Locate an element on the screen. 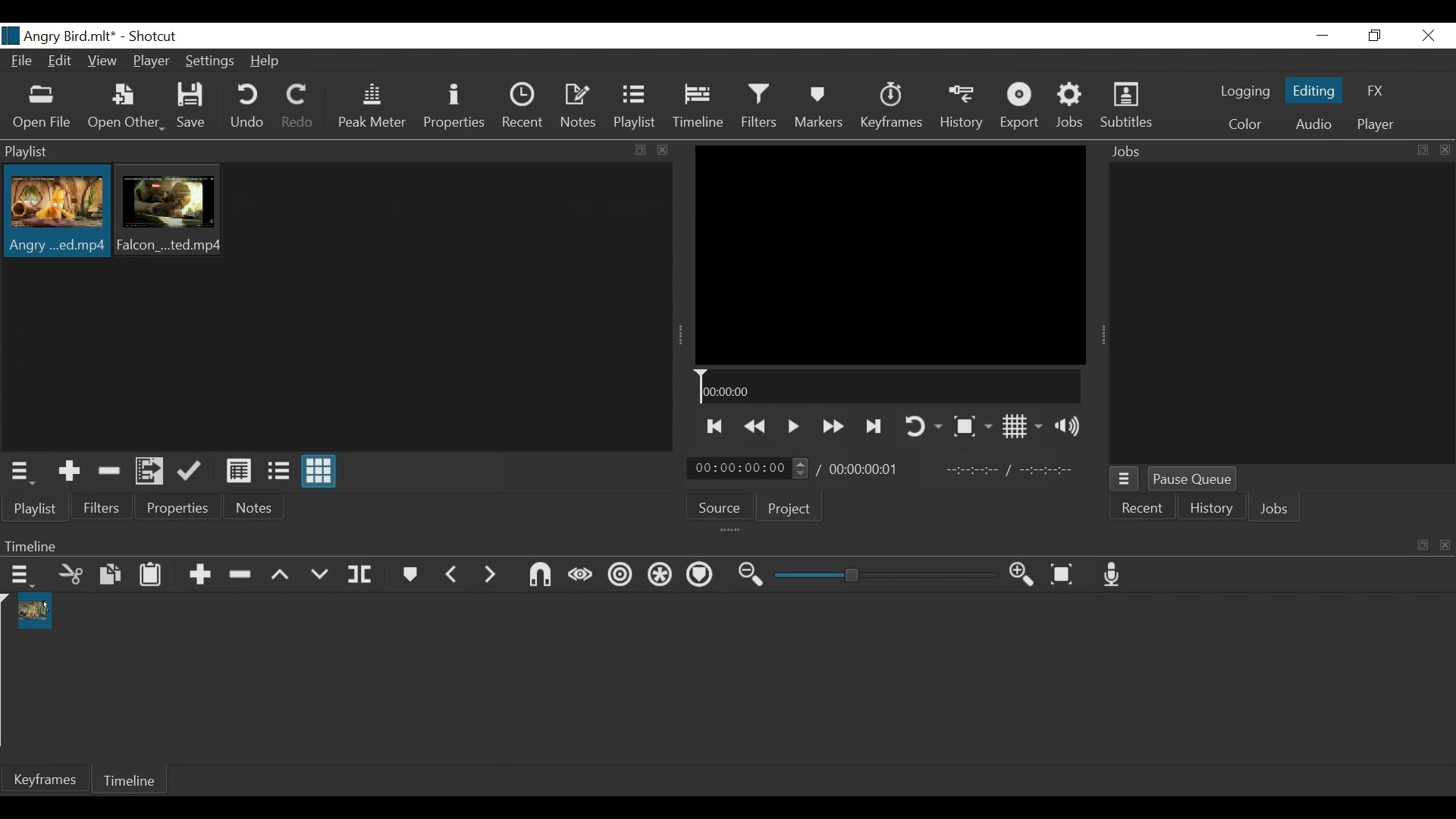  Add the Source to the playlist is located at coordinates (67, 472).